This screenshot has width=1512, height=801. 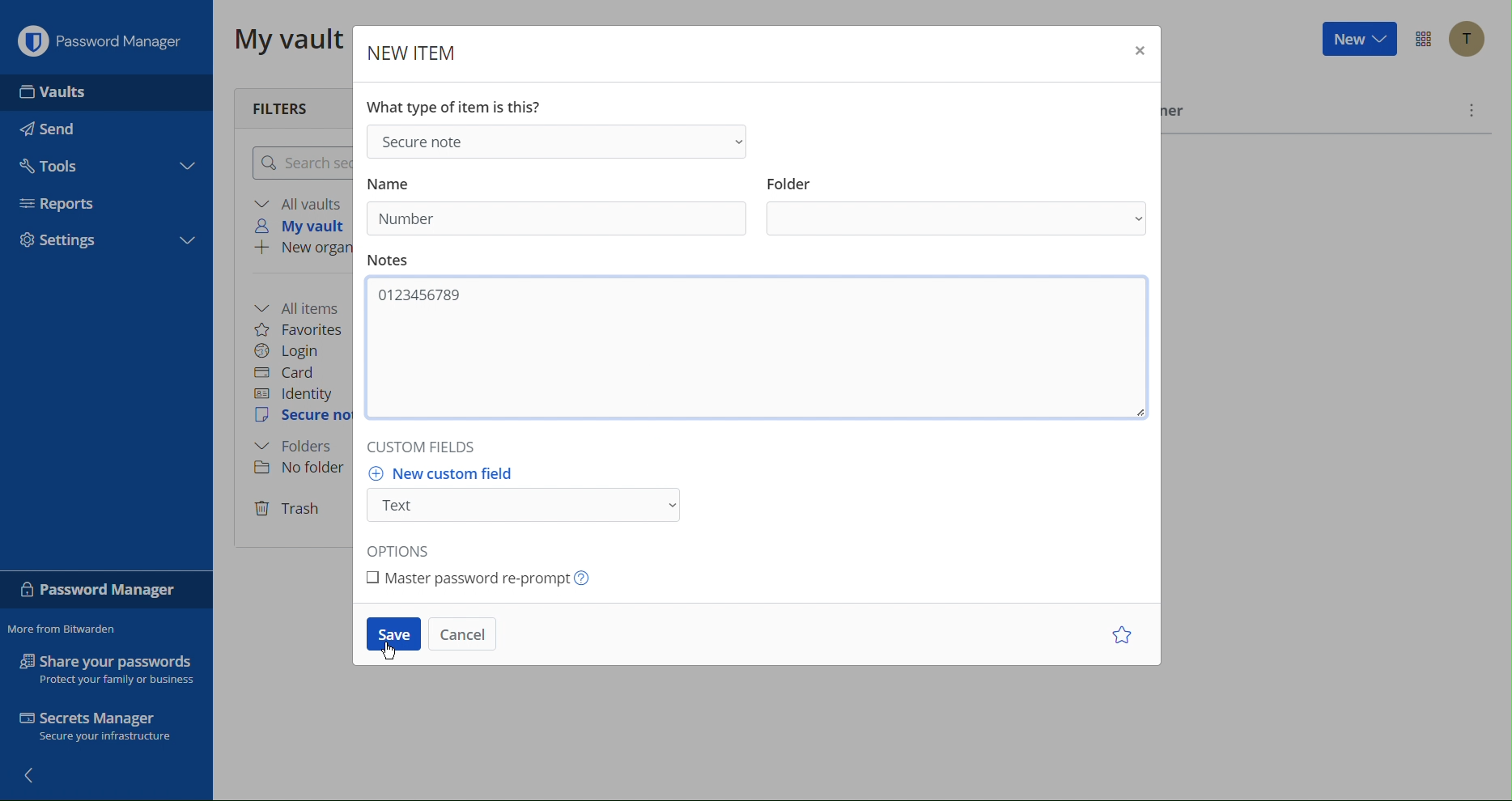 I want to click on Settings, so click(x=65, y=239).